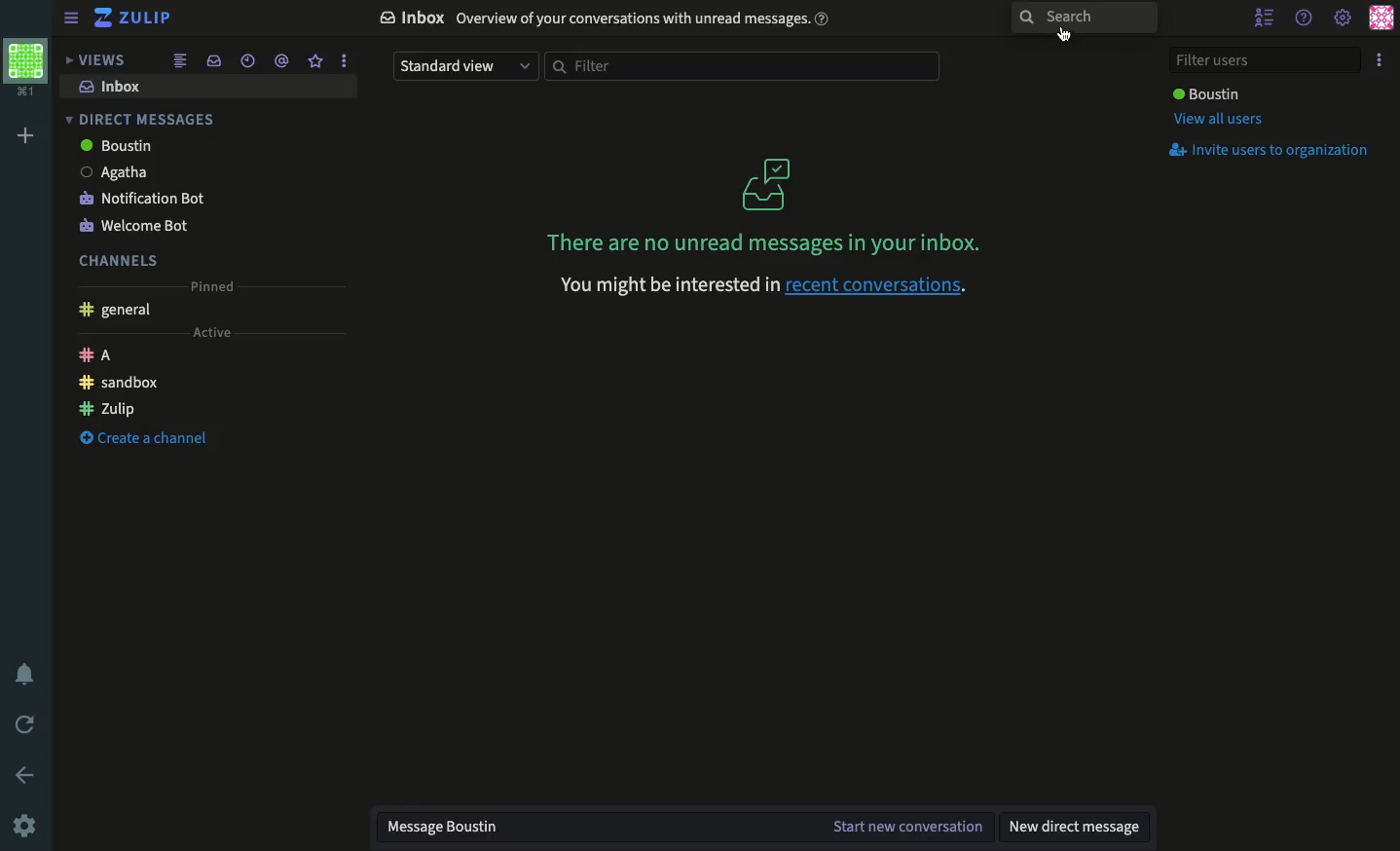  Describe the element at coordinates (209, 333) in the screenshot. I see `Active` at that location.